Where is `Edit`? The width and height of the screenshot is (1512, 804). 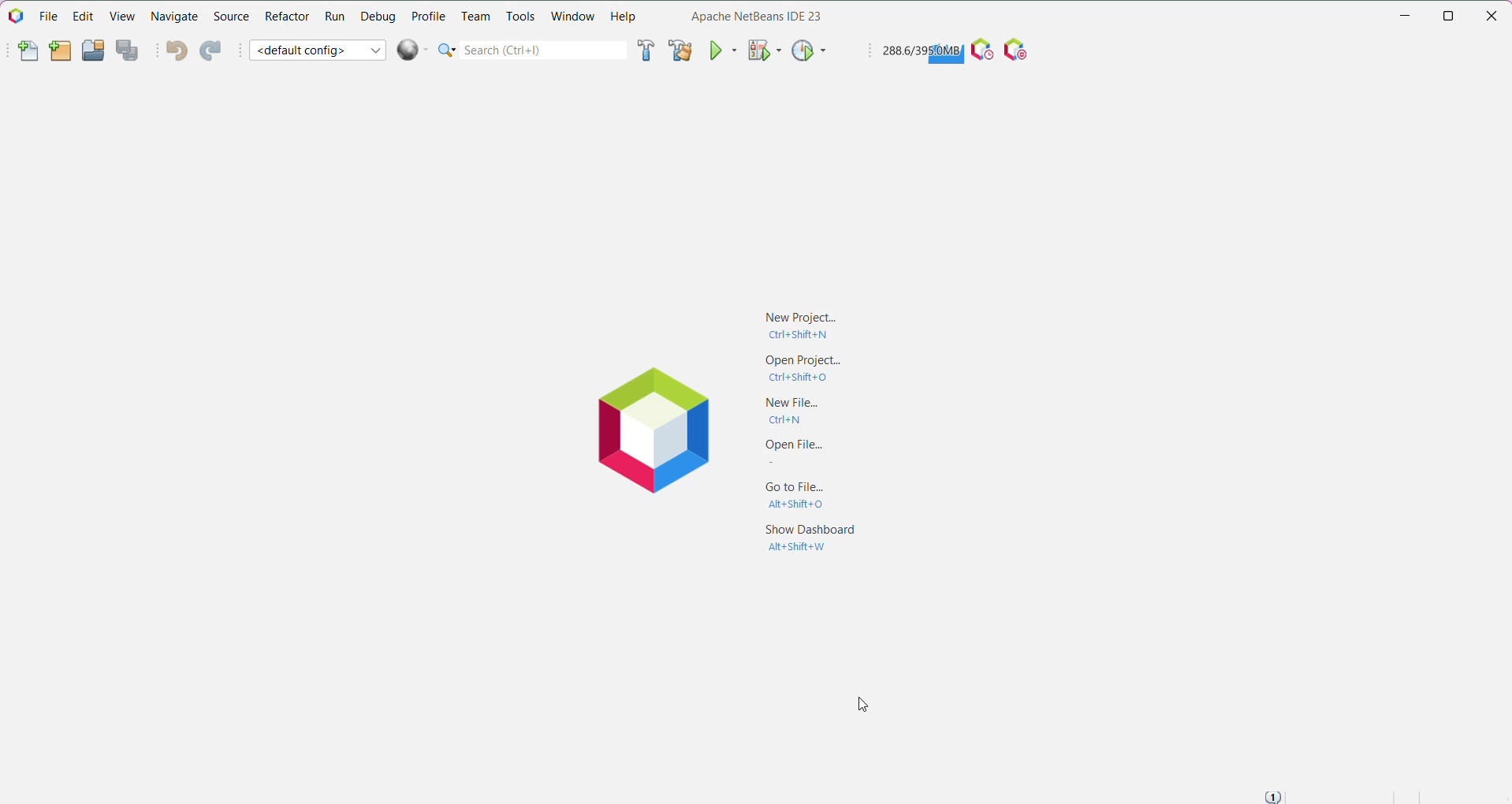 Edit is located at coordinates (80, 17).